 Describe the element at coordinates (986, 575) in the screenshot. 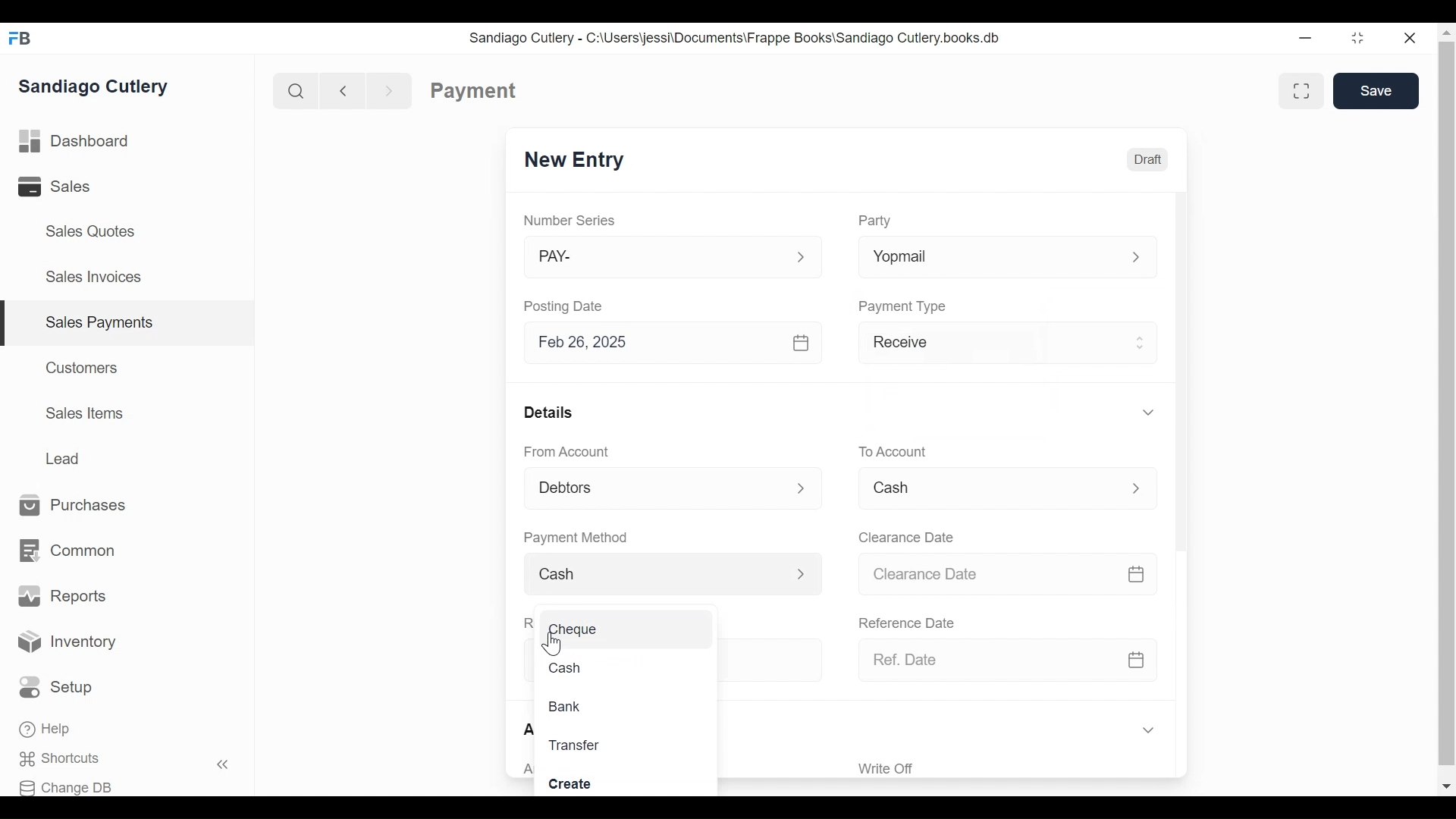

I see `Clearance Date` at that location.